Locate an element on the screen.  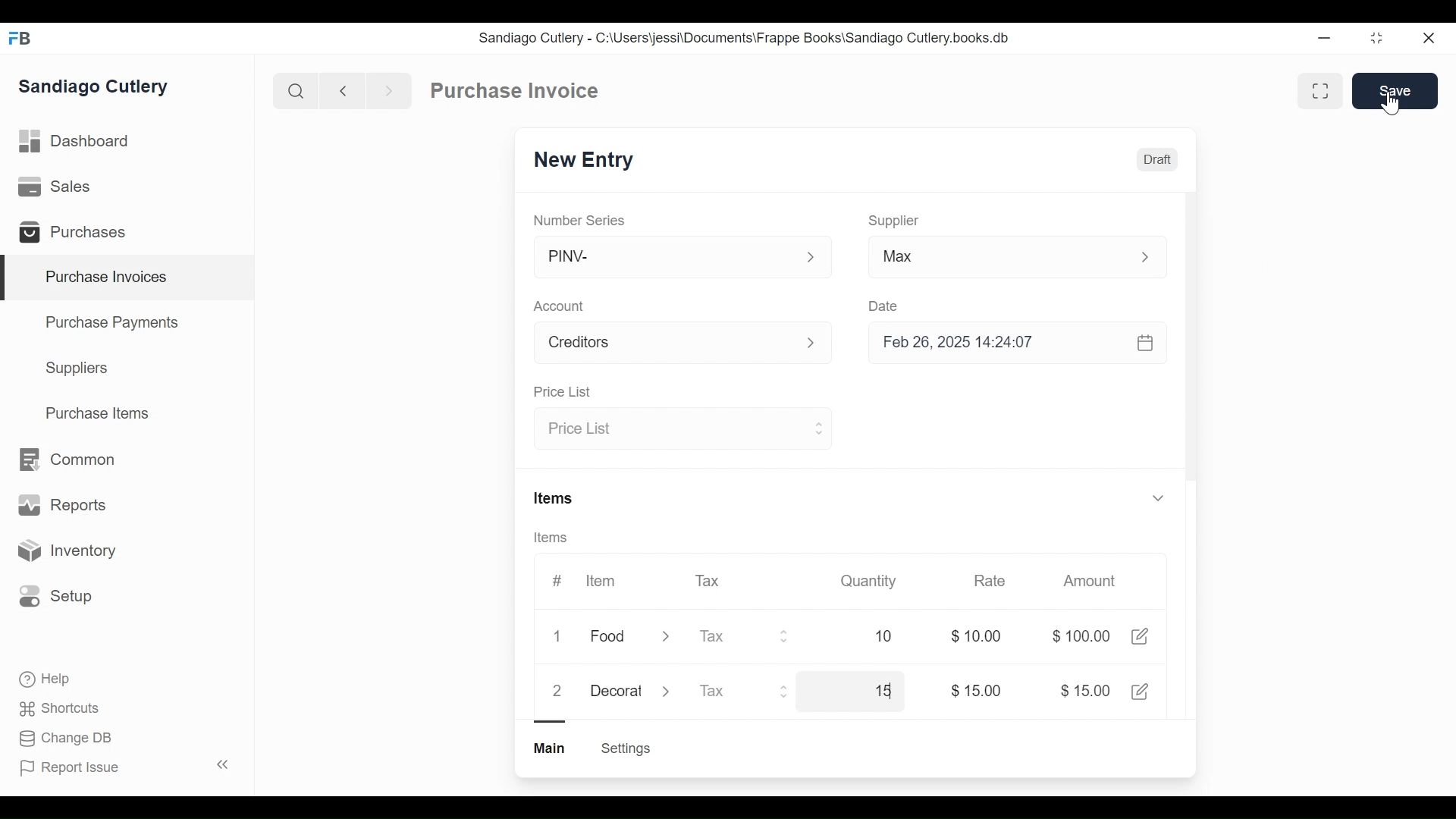
Frappe Books Desktop icon is located at coordinates (25, 39).